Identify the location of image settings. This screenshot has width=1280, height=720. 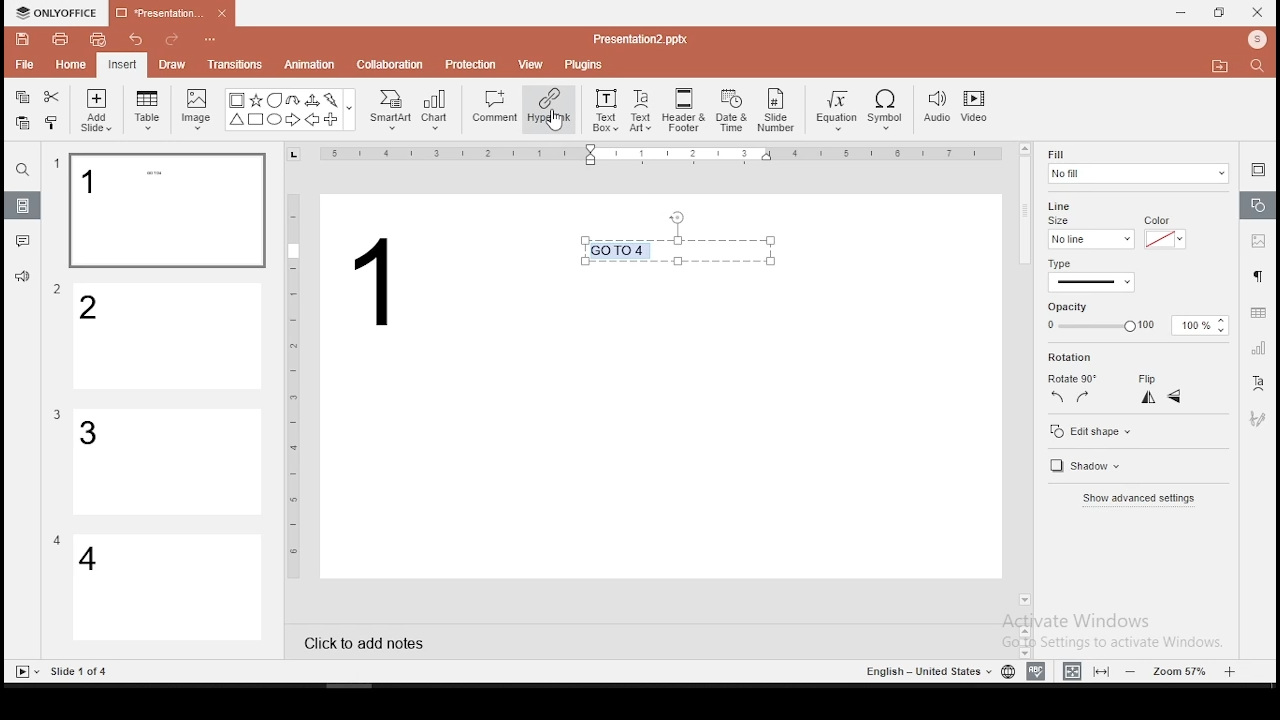
(1256, 243).